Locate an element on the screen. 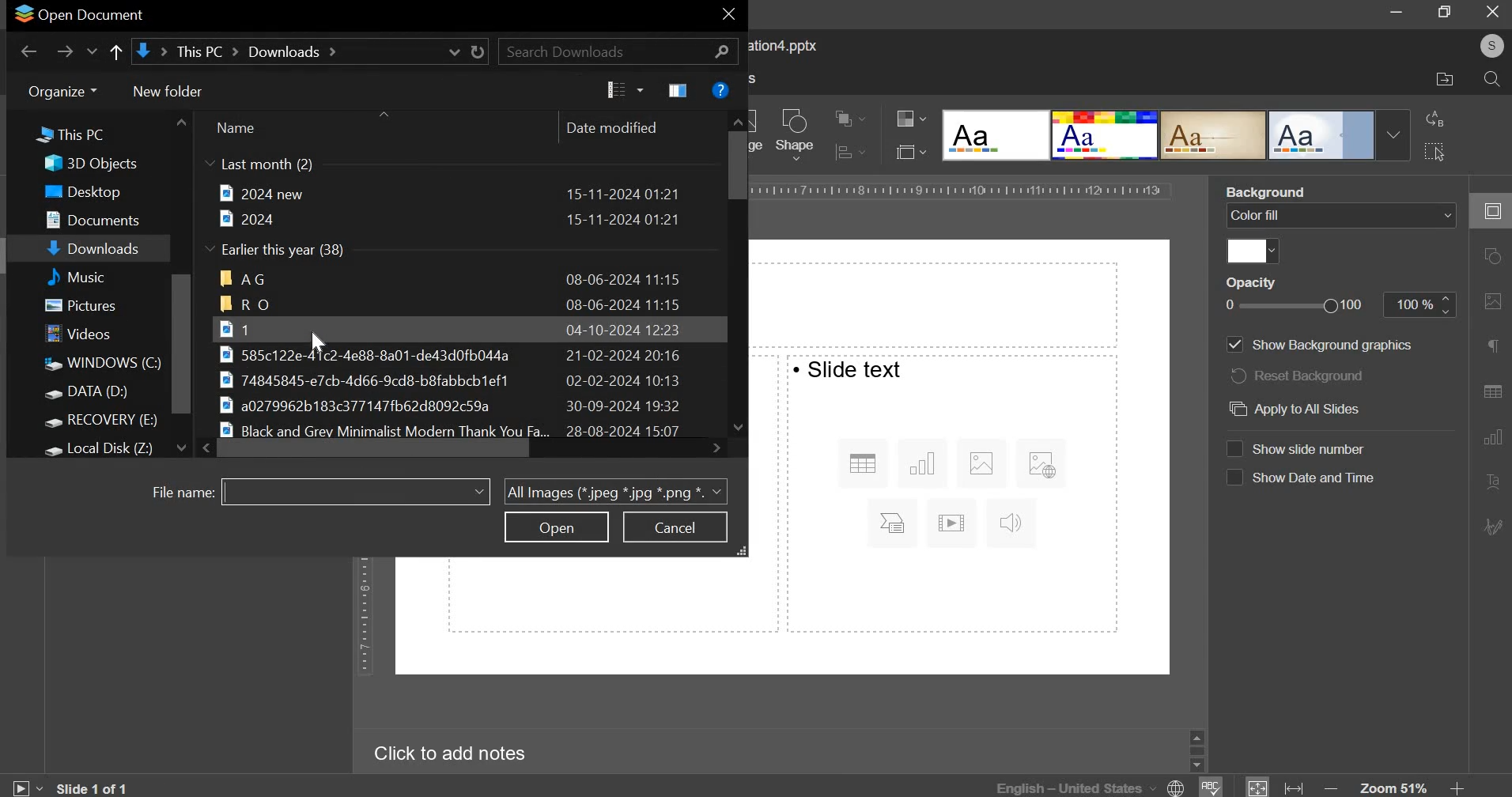 The width and height of the screenshot is (1512, 797). image file is located at coordinates (467, 380).